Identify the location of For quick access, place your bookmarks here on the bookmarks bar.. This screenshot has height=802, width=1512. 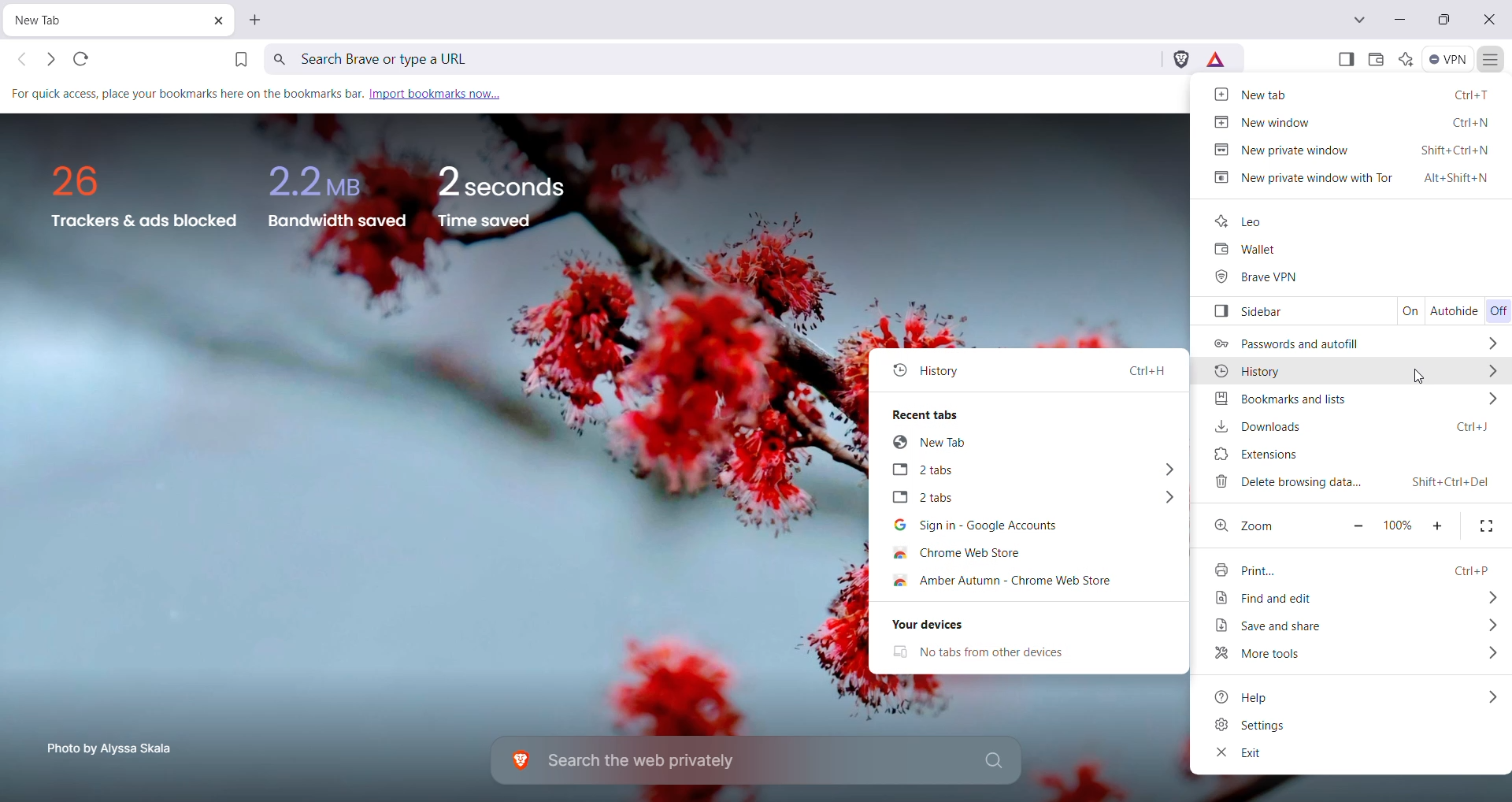
(184, 95).